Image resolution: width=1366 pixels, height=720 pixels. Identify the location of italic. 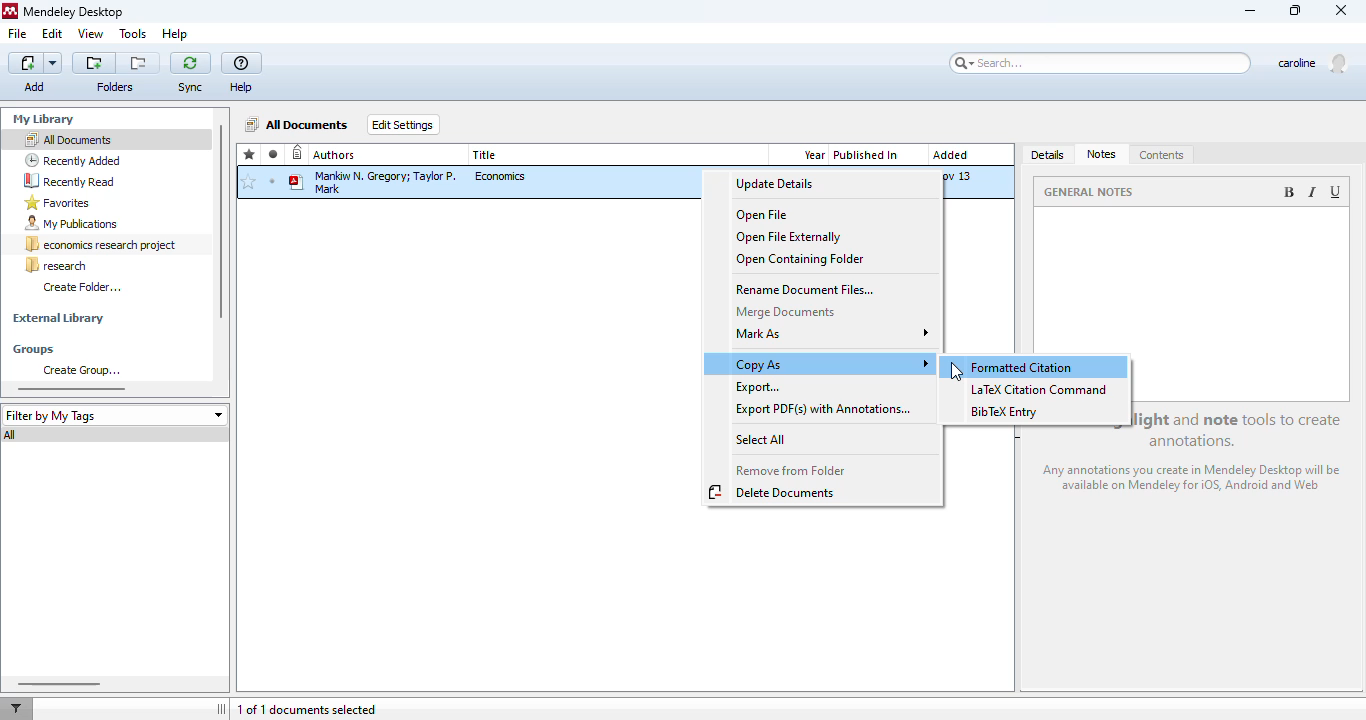
(1311, 192).